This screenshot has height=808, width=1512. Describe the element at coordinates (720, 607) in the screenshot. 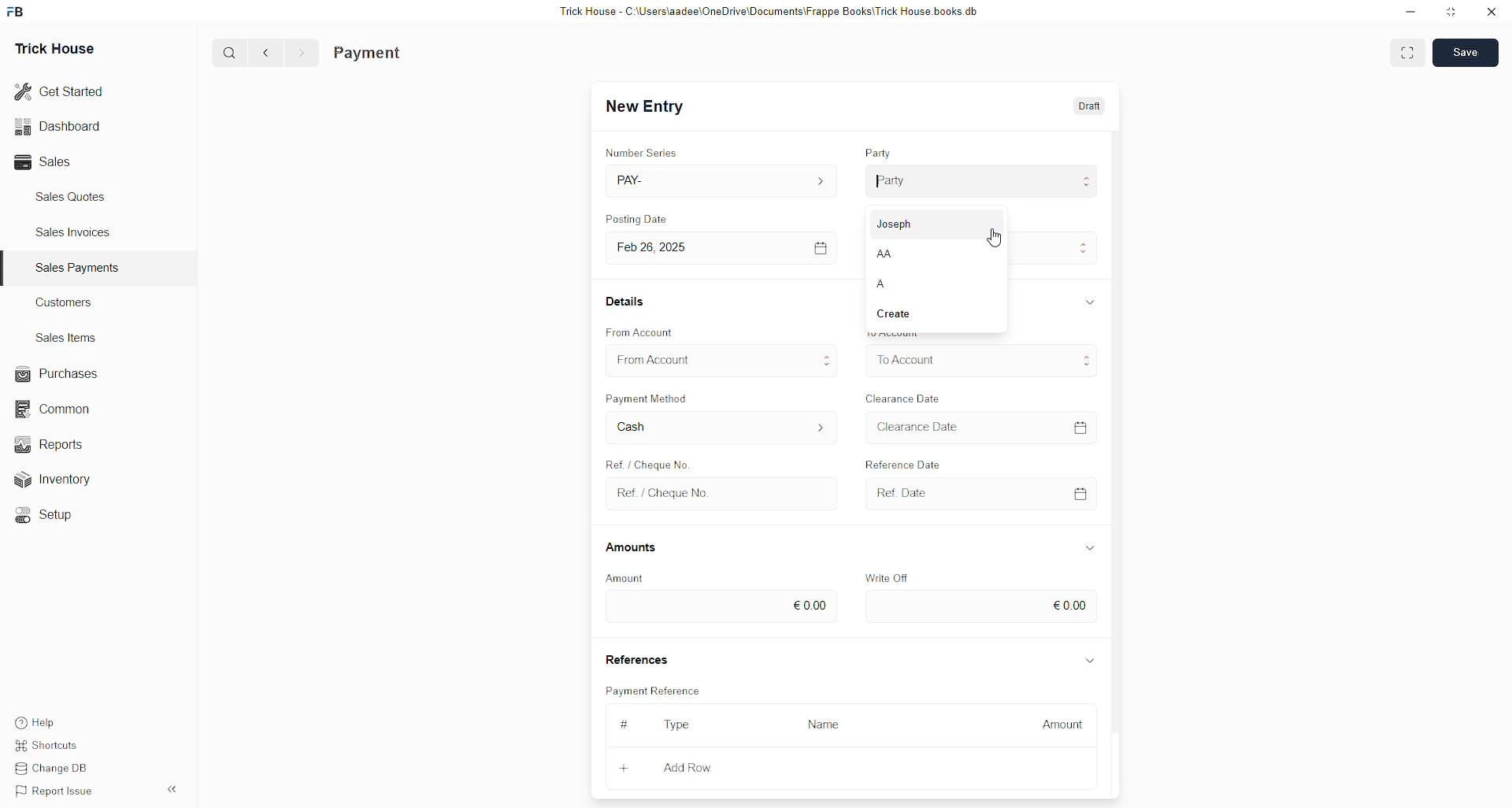

I see `€0.00` at that location.